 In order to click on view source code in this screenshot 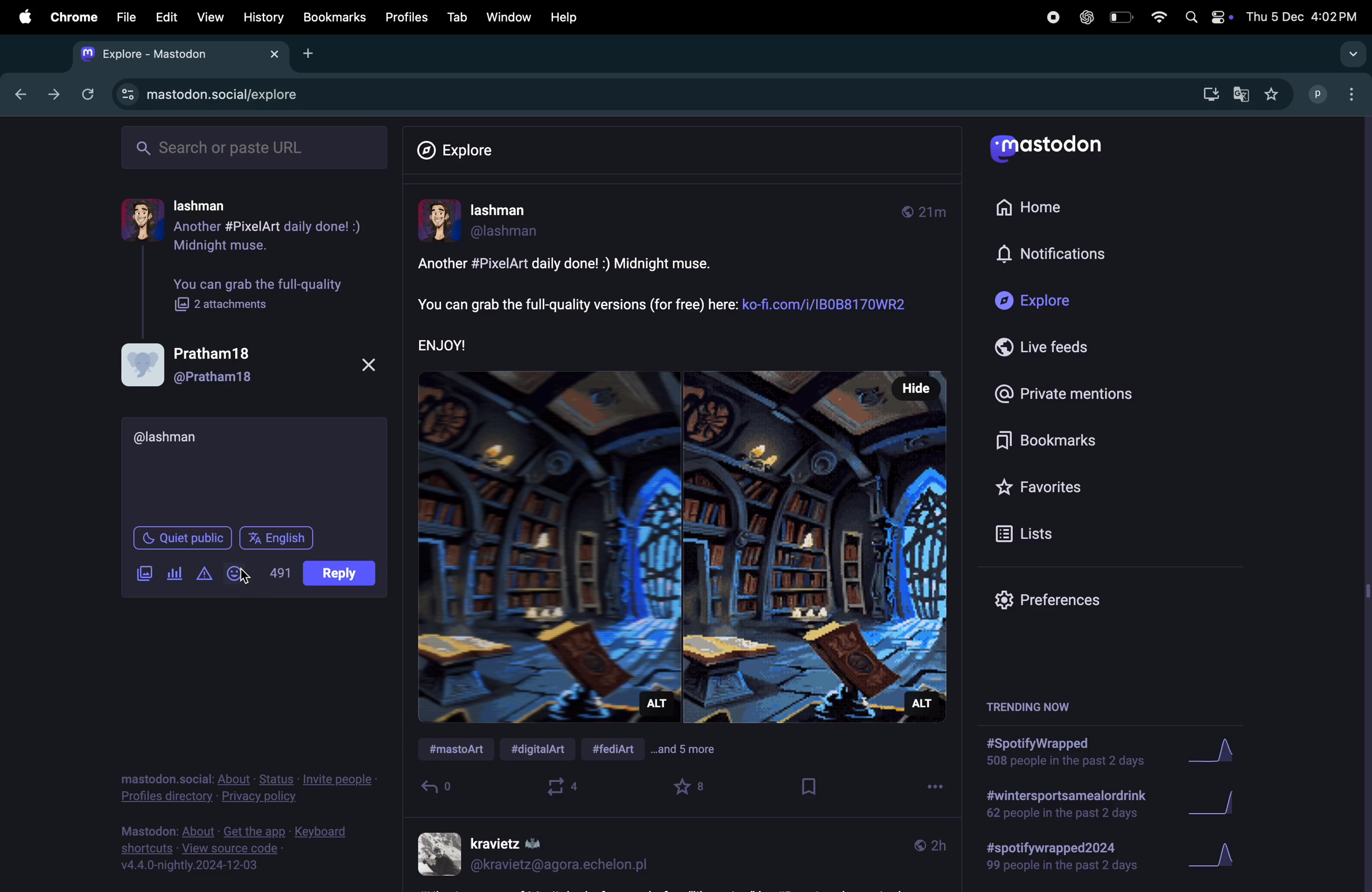, I will do `click(242, 850)`.